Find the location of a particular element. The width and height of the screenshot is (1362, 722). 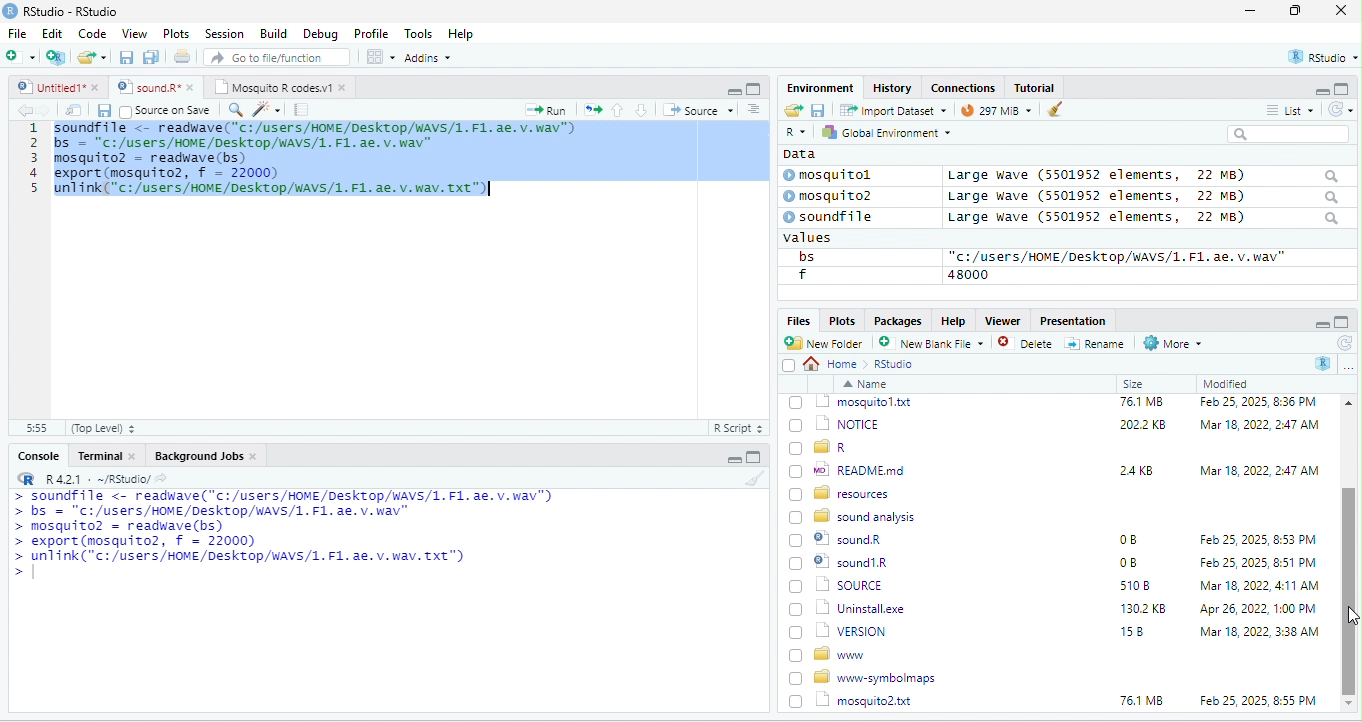

open is located at coordinates (184, 59).